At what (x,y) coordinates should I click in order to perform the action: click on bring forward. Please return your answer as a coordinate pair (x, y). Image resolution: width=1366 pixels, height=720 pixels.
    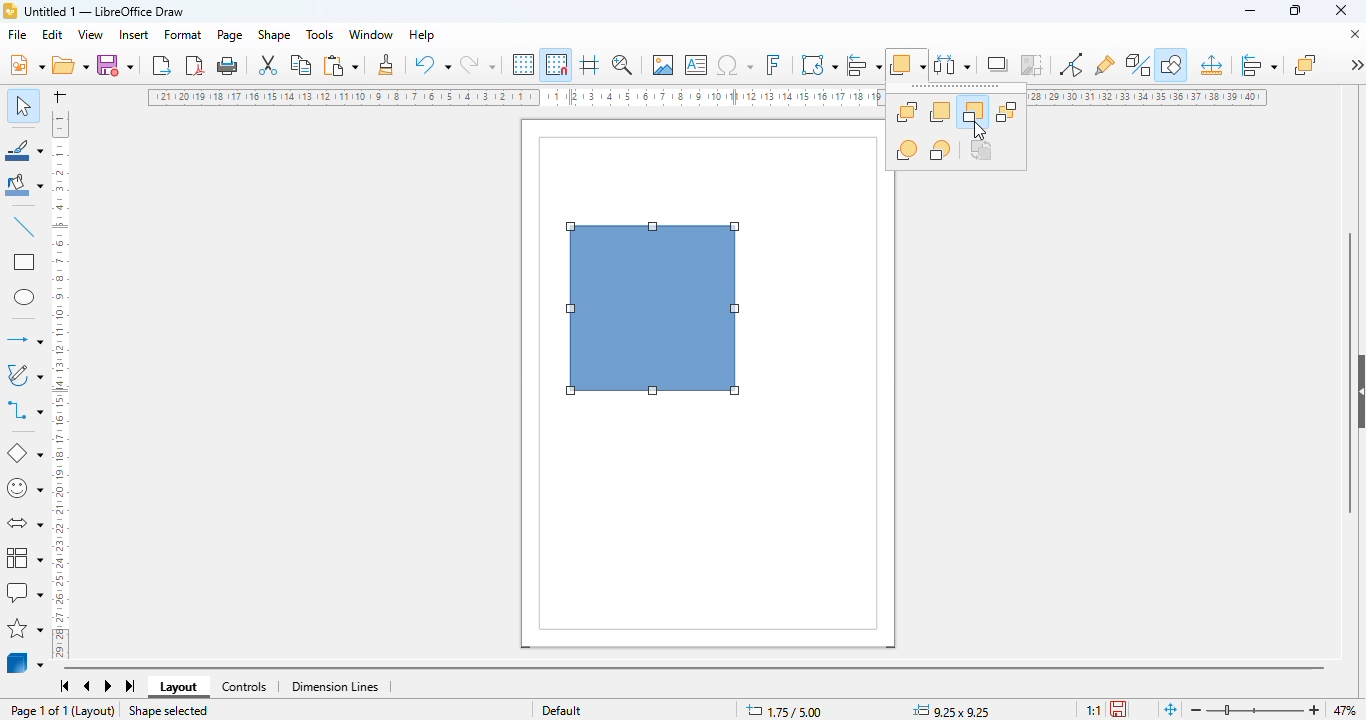
    Looking at the image, I should click on (939, 112).